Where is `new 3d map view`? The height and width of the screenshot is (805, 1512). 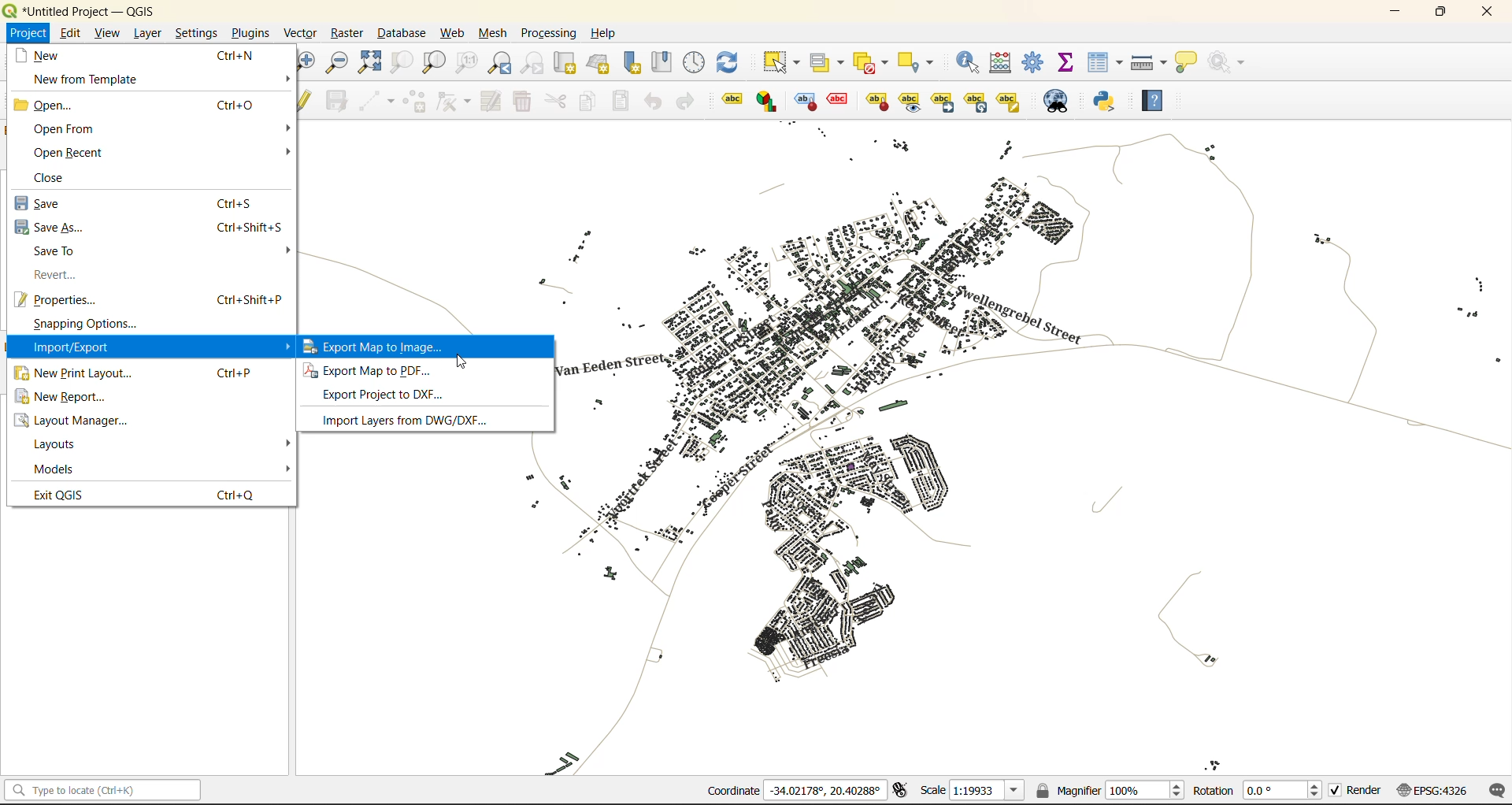
new 3d map view is located at coordinates (598, 61).